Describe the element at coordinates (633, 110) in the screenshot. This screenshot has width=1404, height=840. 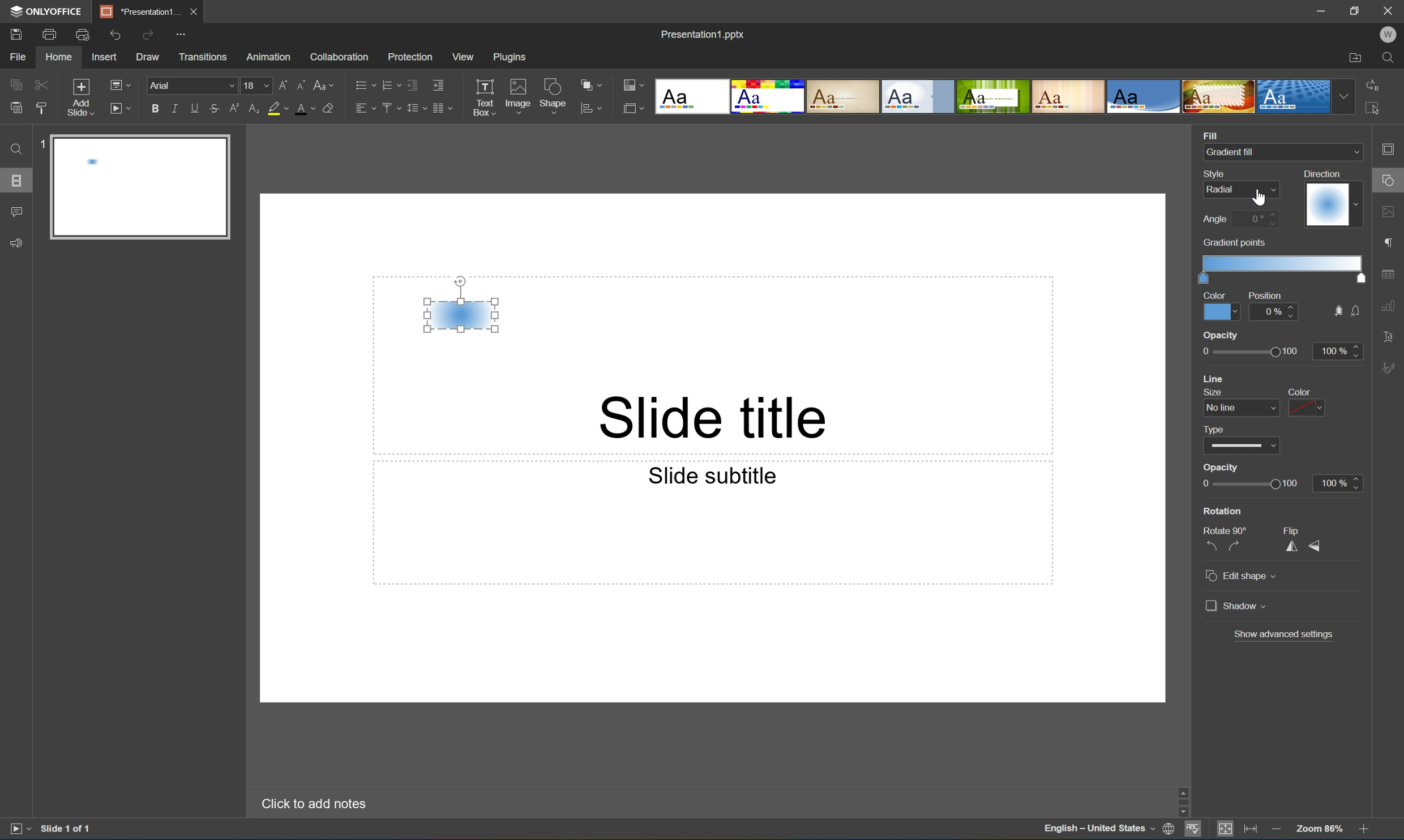
I see `Select slide size` at that location.